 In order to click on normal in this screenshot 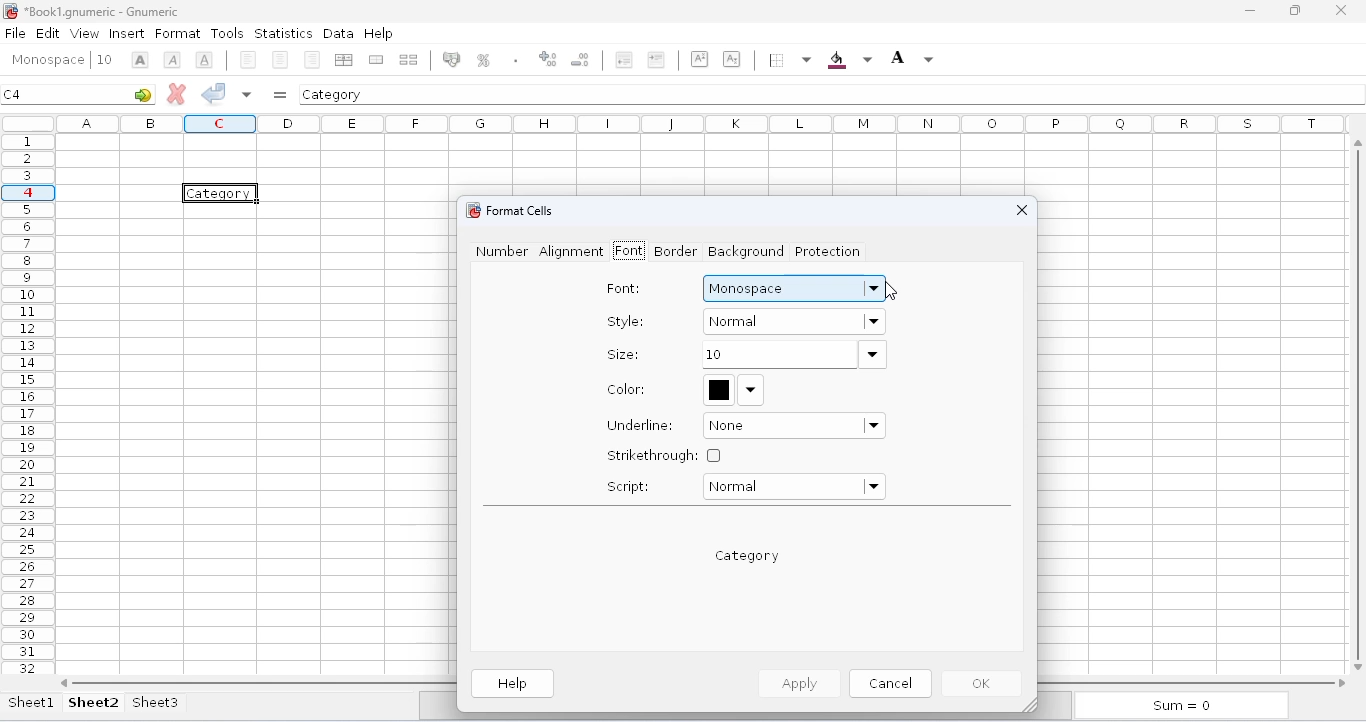, I will do `click(795, 320)`.